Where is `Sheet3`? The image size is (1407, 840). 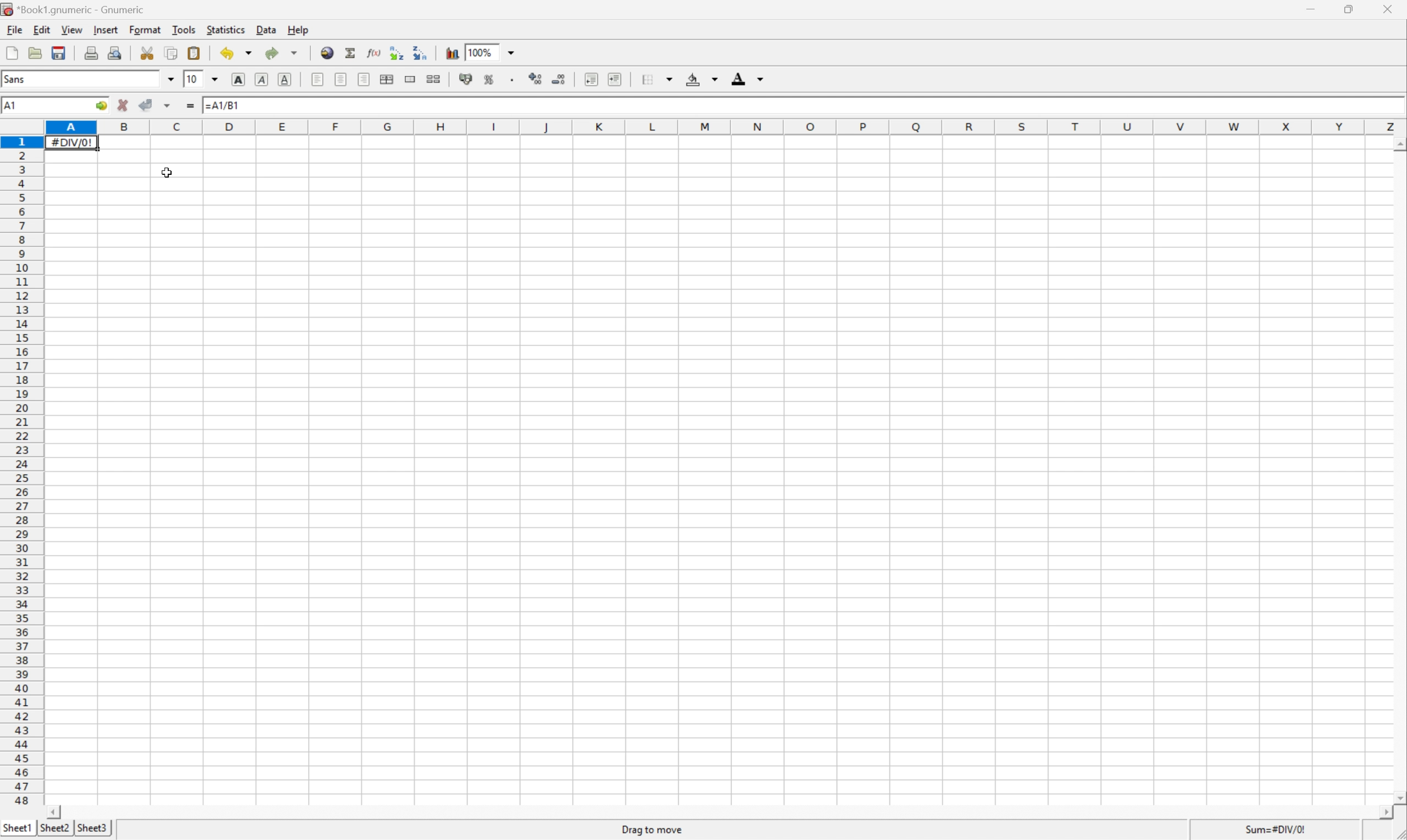 Sheet3 is located at coordinates (94, 829).